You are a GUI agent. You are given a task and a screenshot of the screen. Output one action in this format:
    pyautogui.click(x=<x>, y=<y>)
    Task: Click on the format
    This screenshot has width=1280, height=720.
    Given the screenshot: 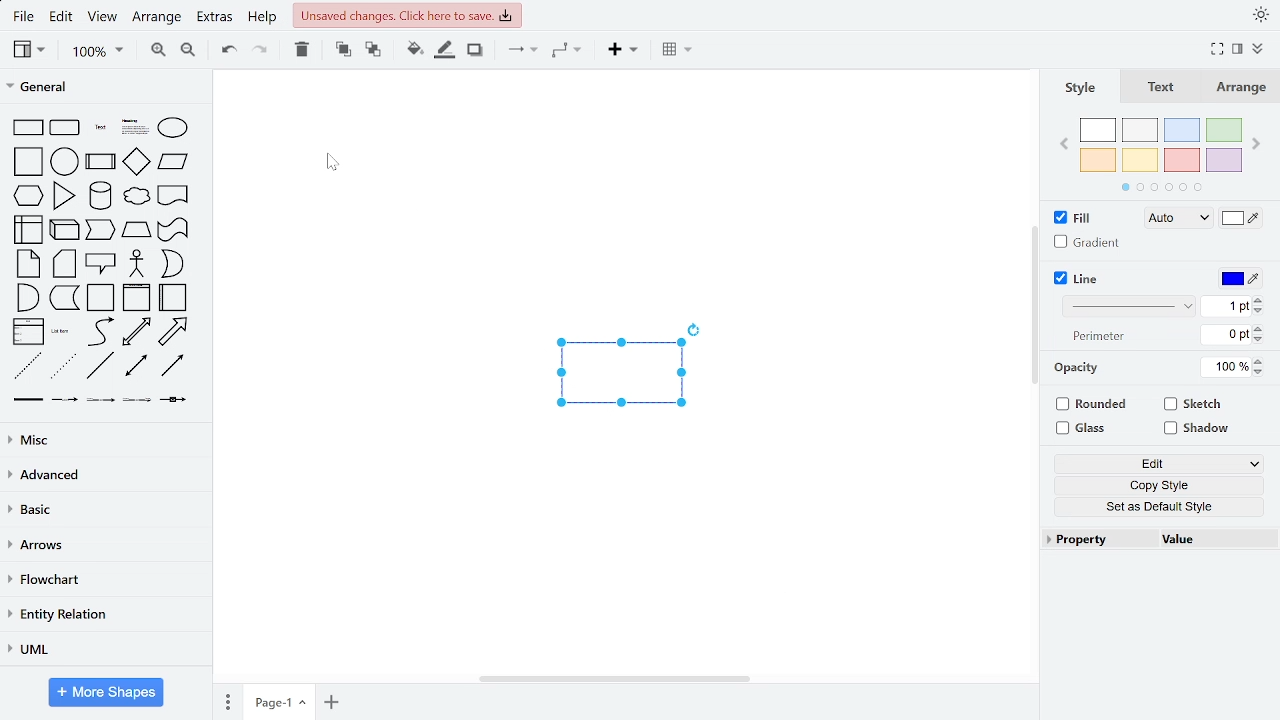 What is the action you would take?
    pyautogui.click(x=1256, y=51)
    